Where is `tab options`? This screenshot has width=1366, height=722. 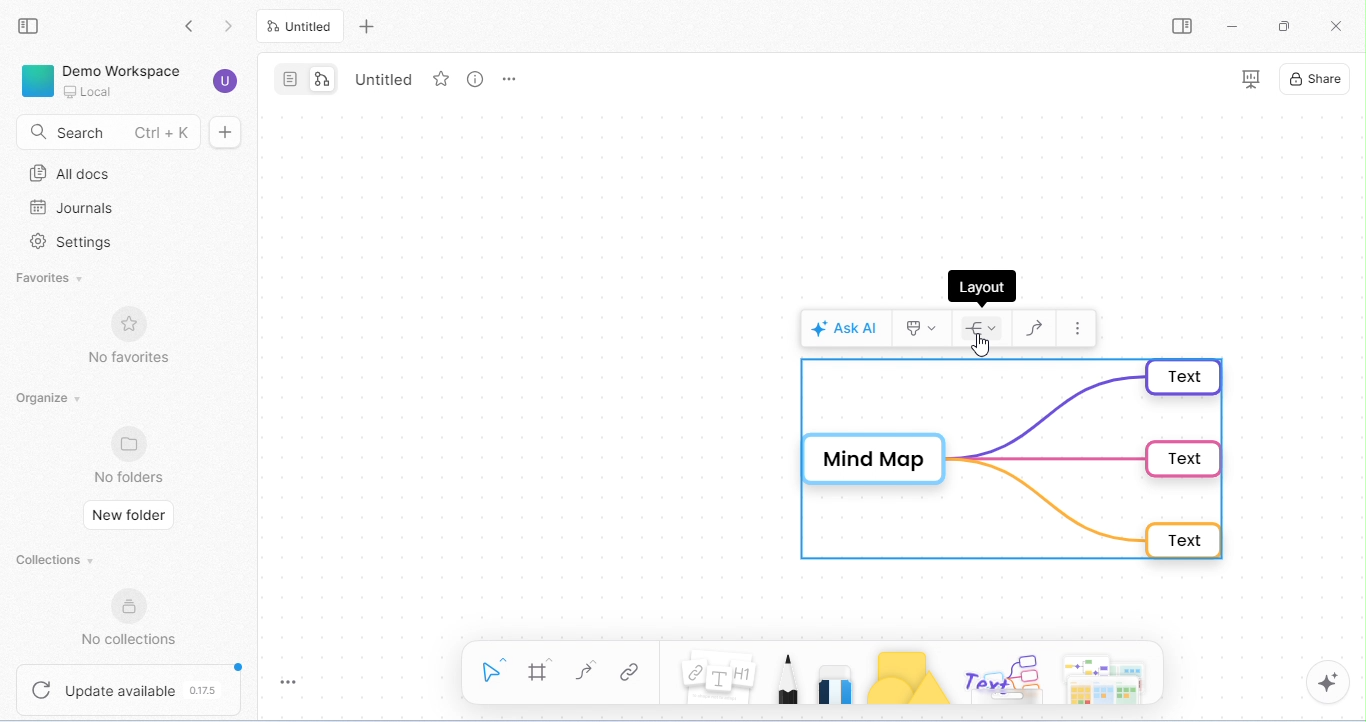
tab options is located at coordinates (512, 82).